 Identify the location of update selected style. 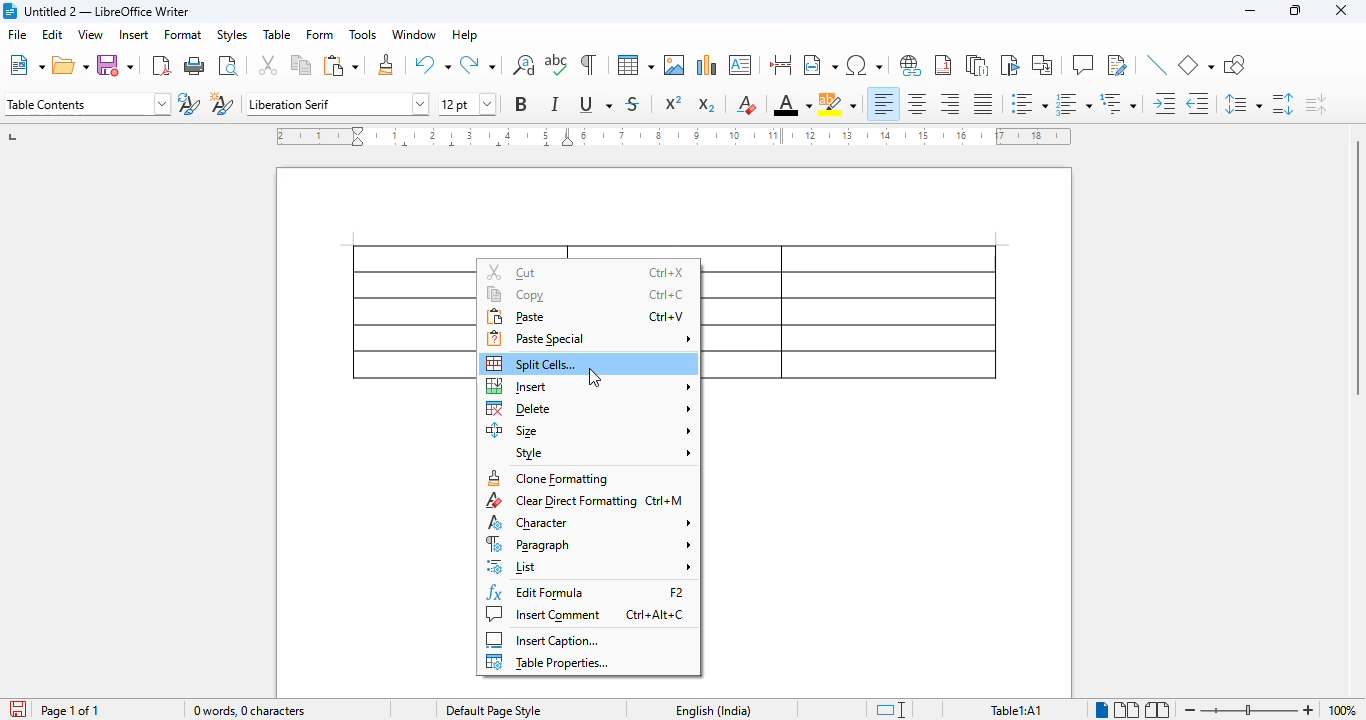
(189, 103).